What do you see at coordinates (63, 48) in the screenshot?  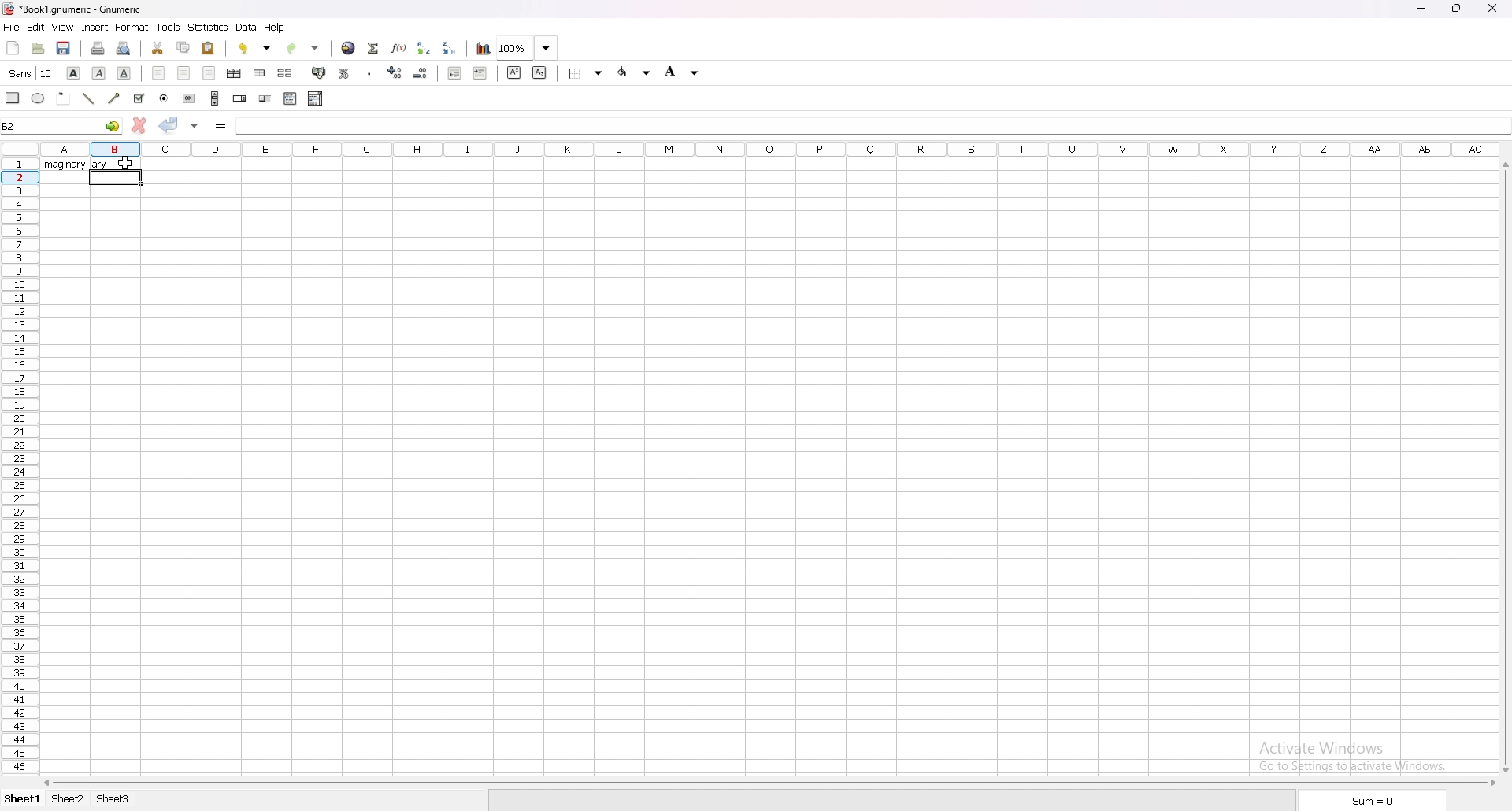 I see `save` at bounding box center [63, 48].